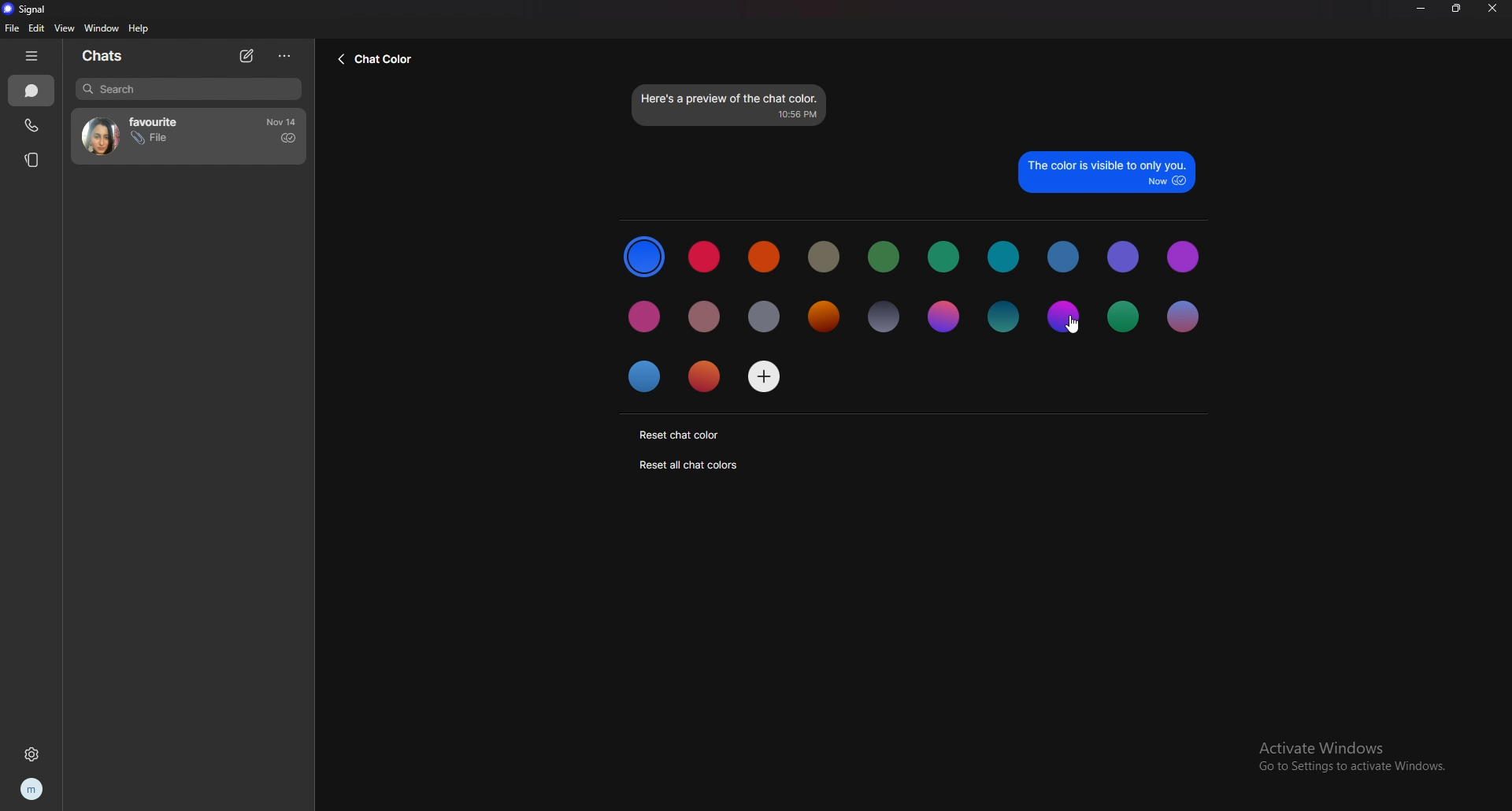 The width and height of the screenshot is (1512, 811). Describe the element at coordinates (1125, 318) in the screenshot. I see `color` at that location.